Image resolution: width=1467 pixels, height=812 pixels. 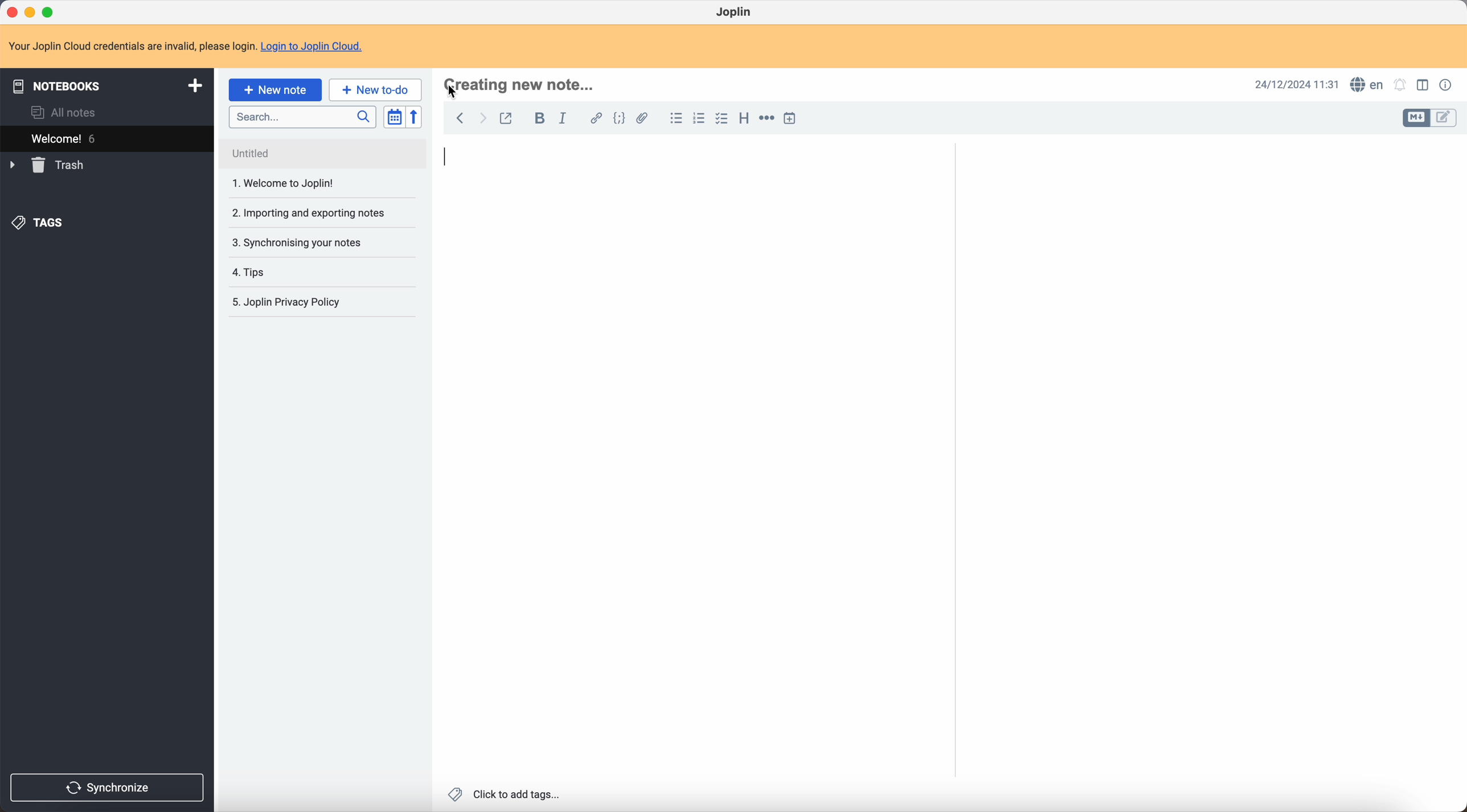 I want to click on spell checker, so click(x=1366, y=85).